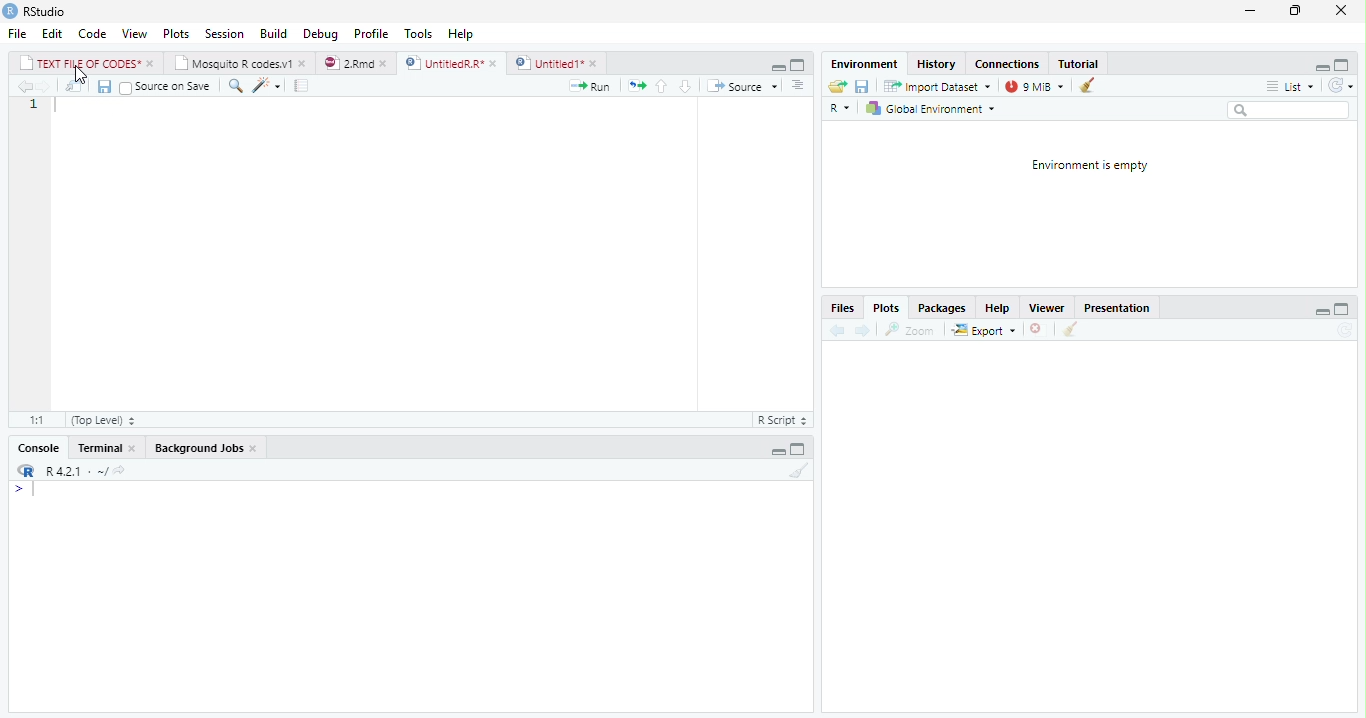  Describe the element at coordinates (939, 309) in the screenshot. I see `Packages` at that location.